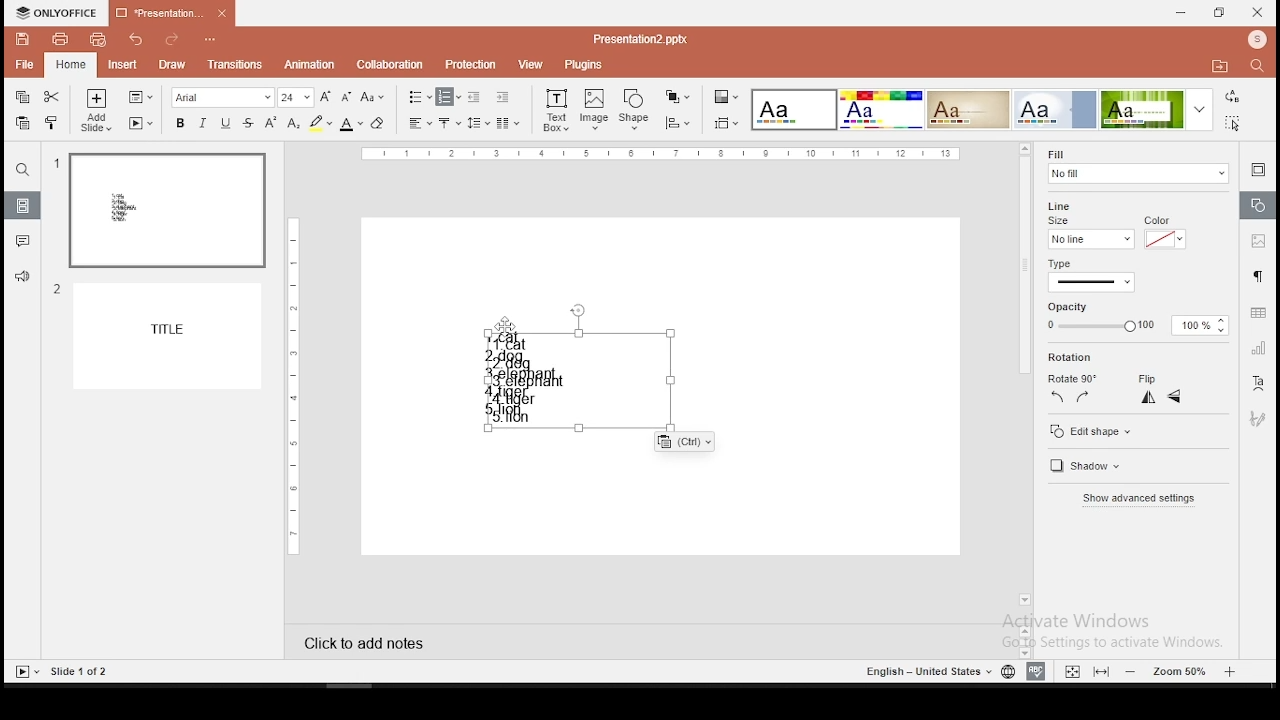  I want to click on line size, so click(1064, 212).